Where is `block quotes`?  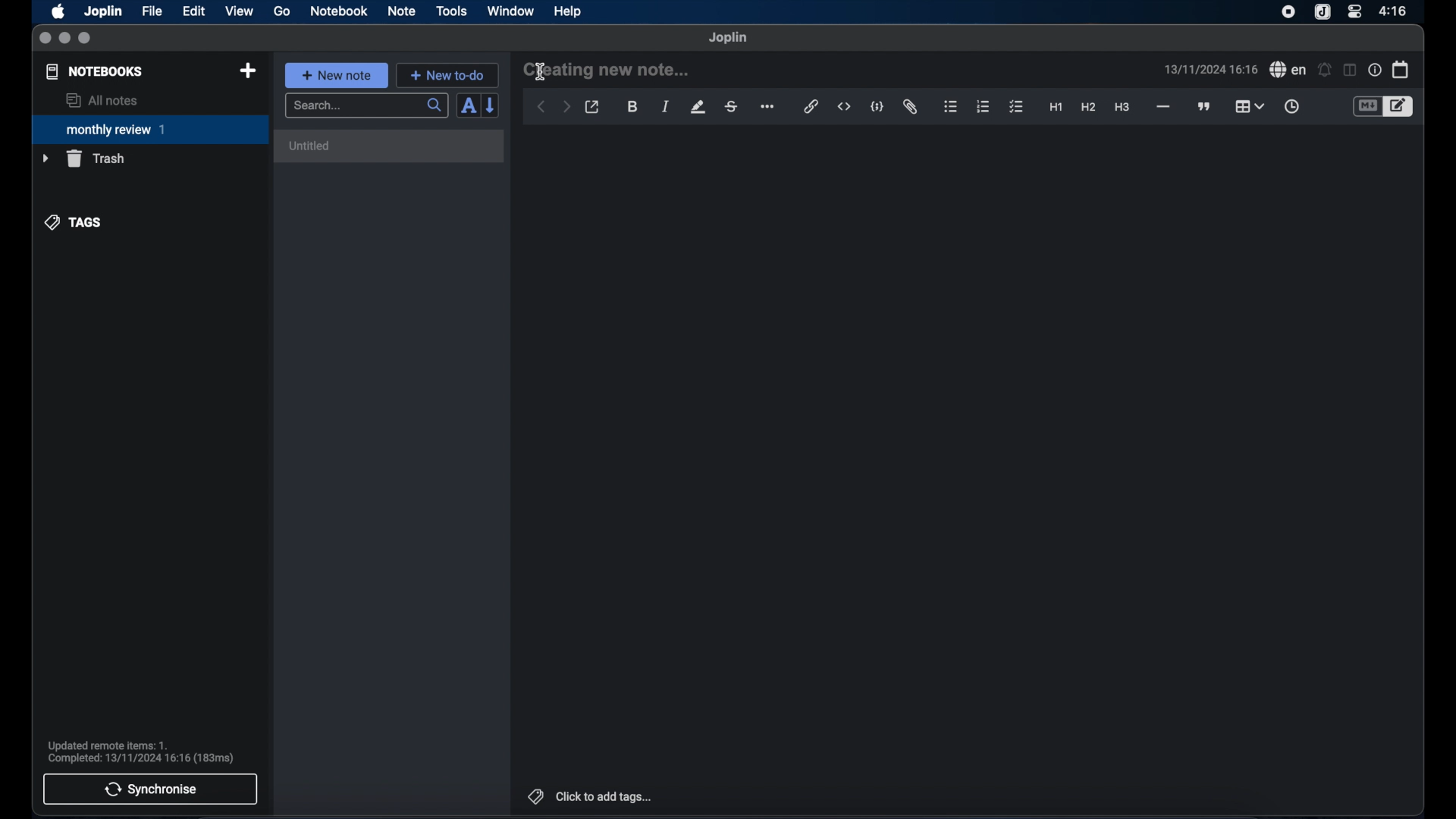 block quotes is located at coordinates (1205, 107).